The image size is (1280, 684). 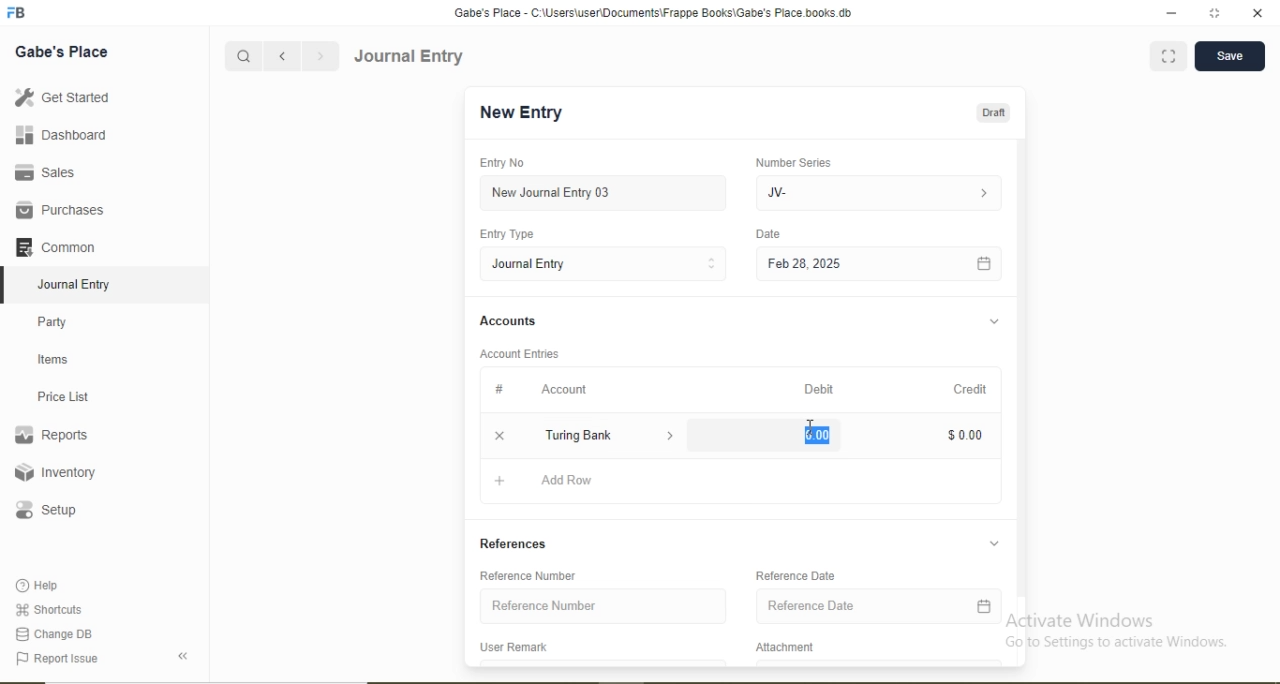 I want to click on References, so click(x=513, y=543).